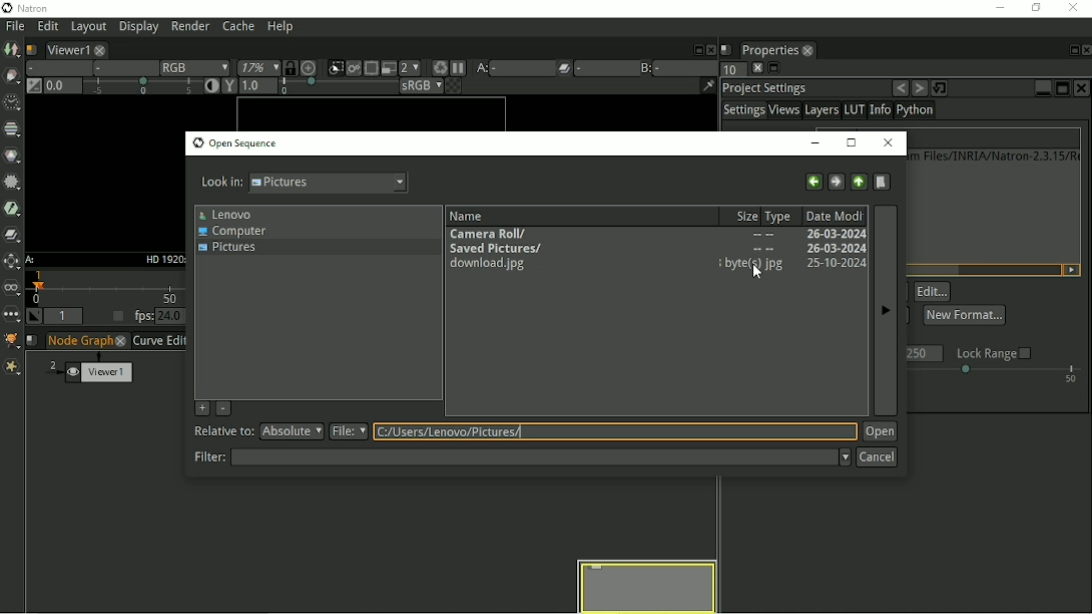 Image resolution: width=1092 pixels, height=614 pixels. What do you see at coordinates (160, 341) in the screenshot?
I see `Curve Editor` at bounding box center [160, 341].